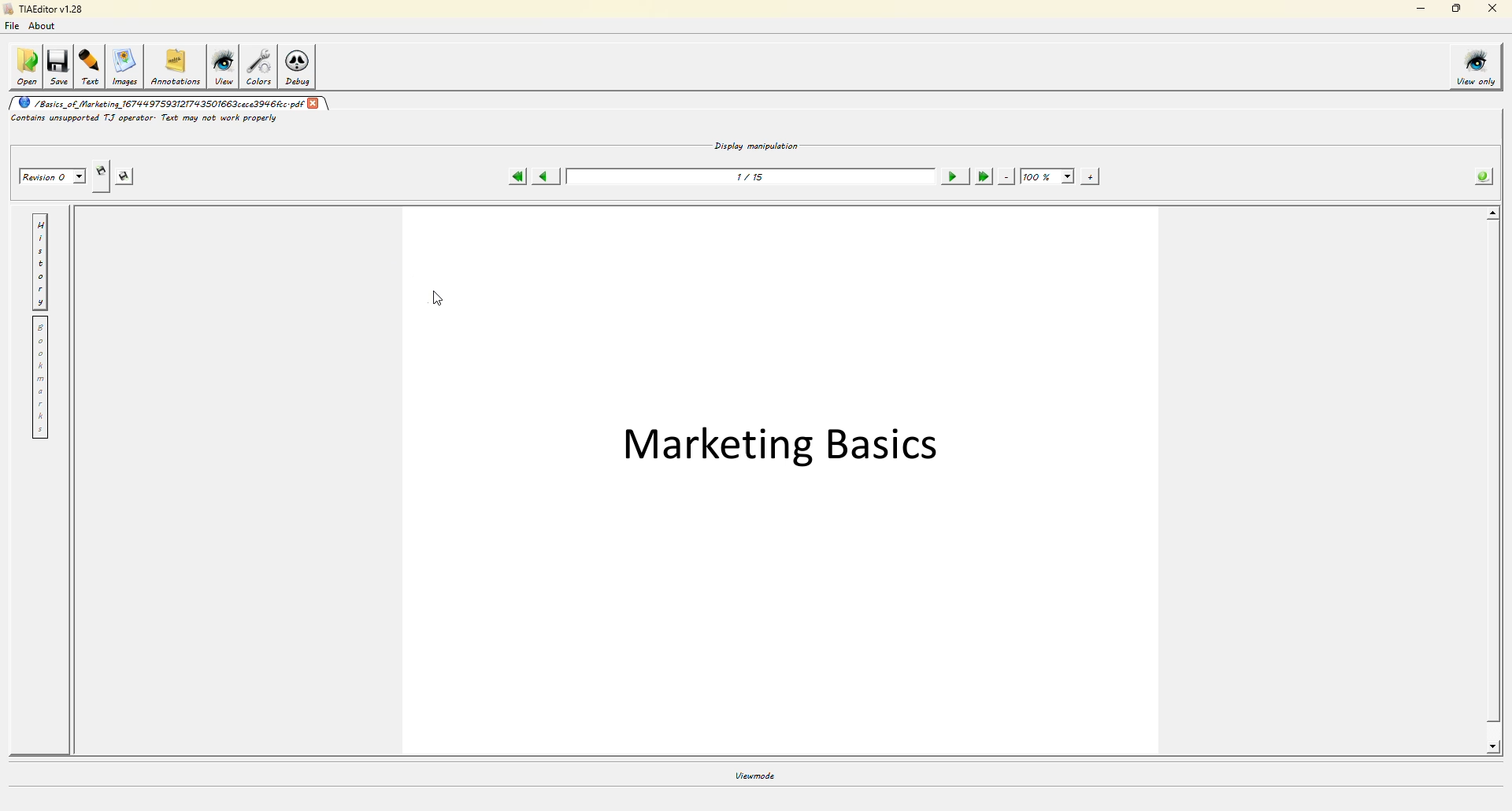 The image size is (1512, 811). What do you see at coordinates (178, 69) in the screenshot?
I see `annotations` at bounding box center [178, 69].